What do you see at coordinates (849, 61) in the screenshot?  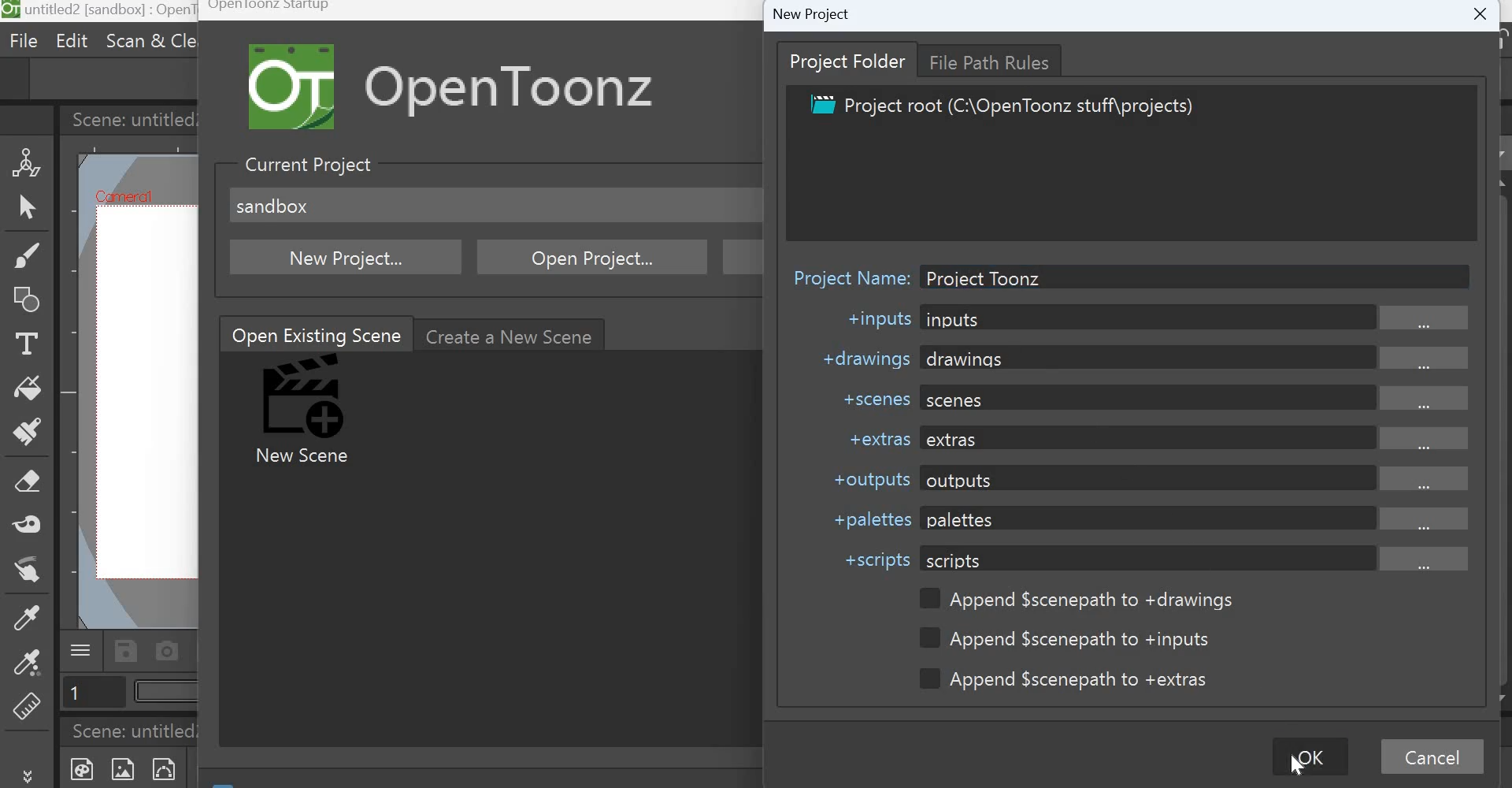 I see `Project folder` at bounding box center [849, 61].